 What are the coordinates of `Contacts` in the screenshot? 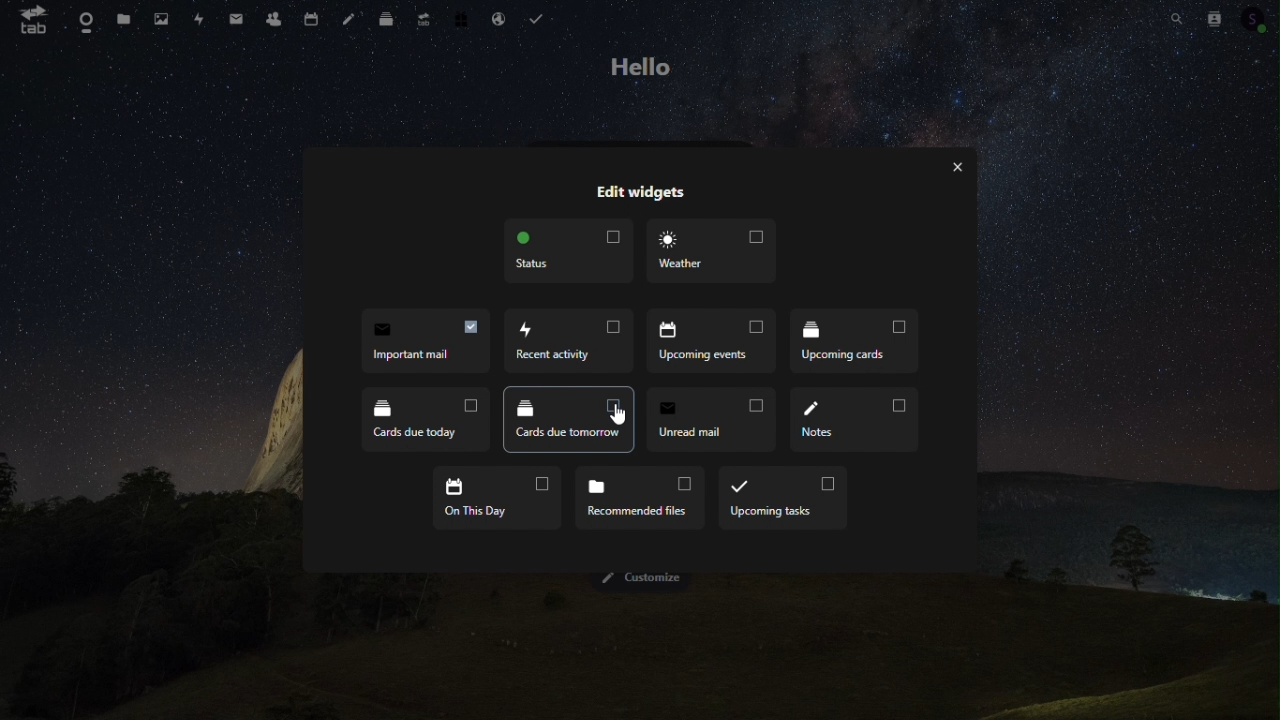 It's located at (1218, 16).